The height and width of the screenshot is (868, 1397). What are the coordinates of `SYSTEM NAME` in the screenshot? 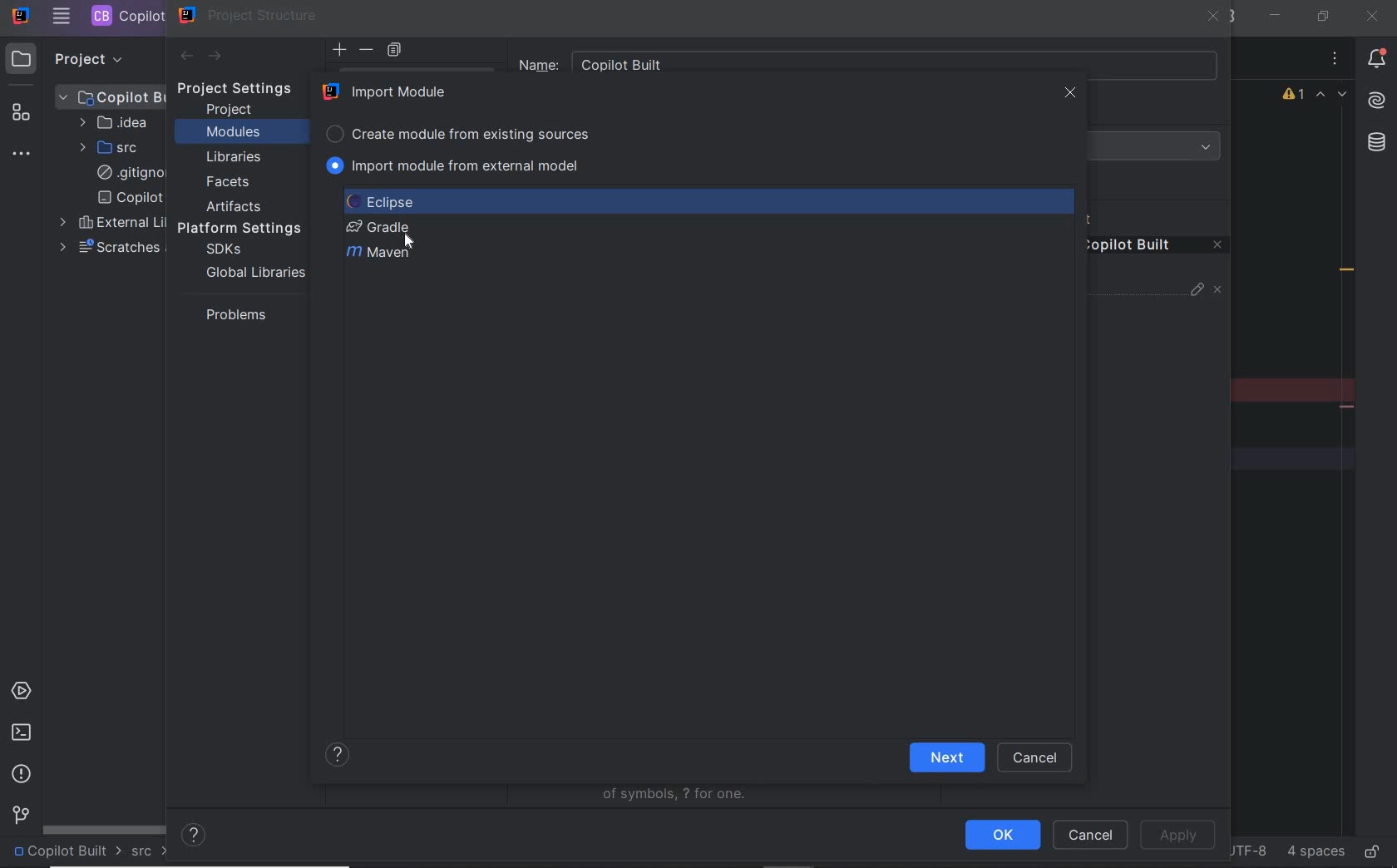 It's located at (19, 17).